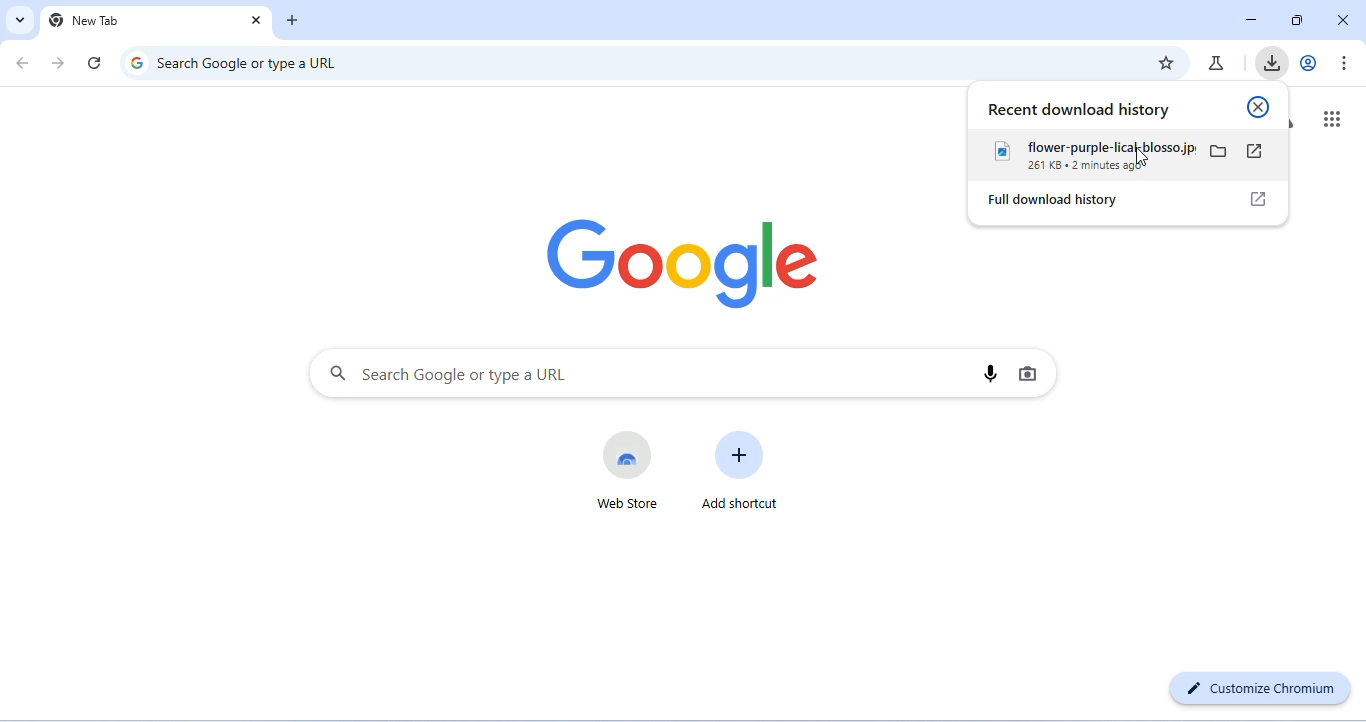  I want to click on google apps, so click(1330, 118).